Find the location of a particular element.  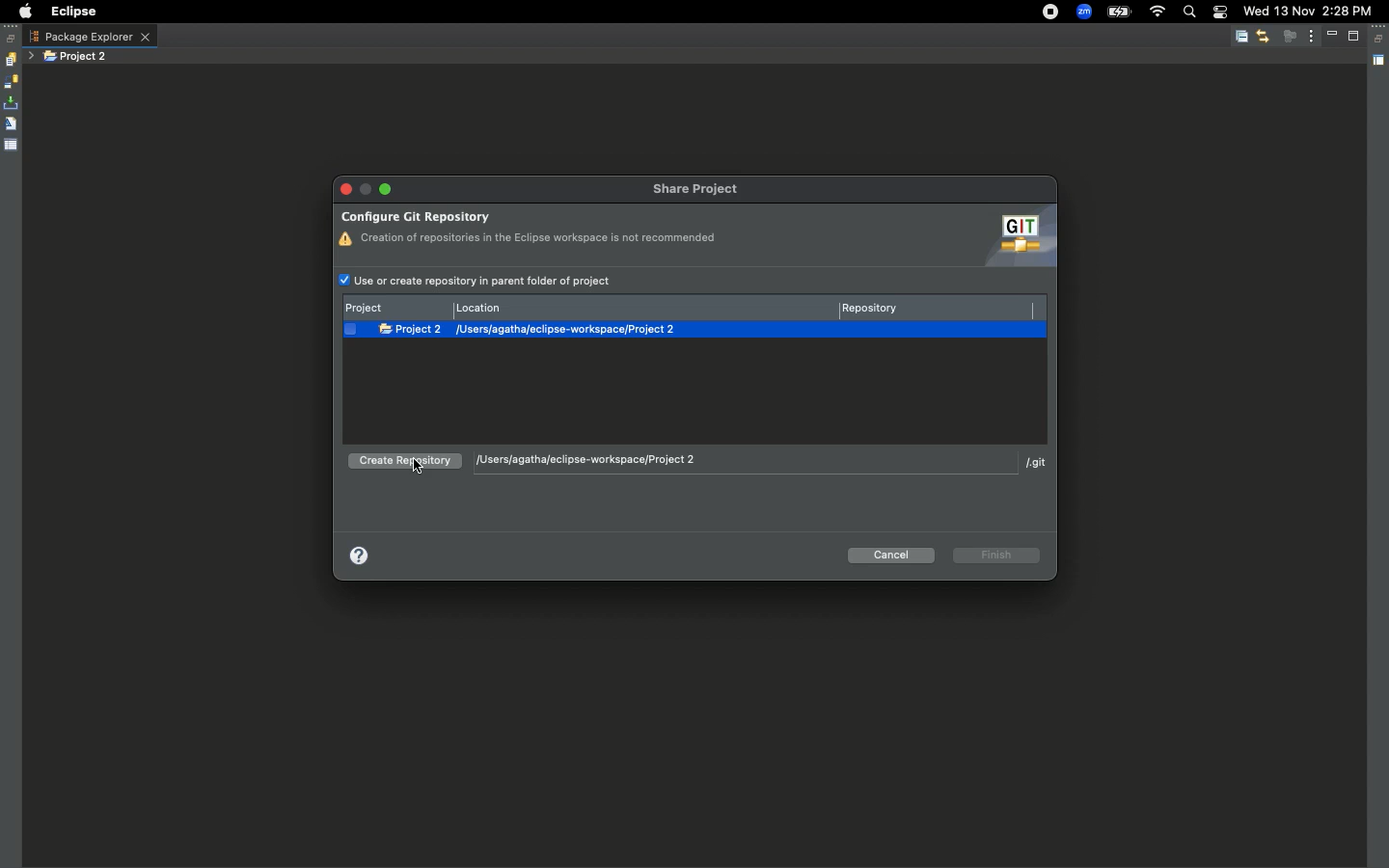

Zoom is located at coordinates (1084, 13).